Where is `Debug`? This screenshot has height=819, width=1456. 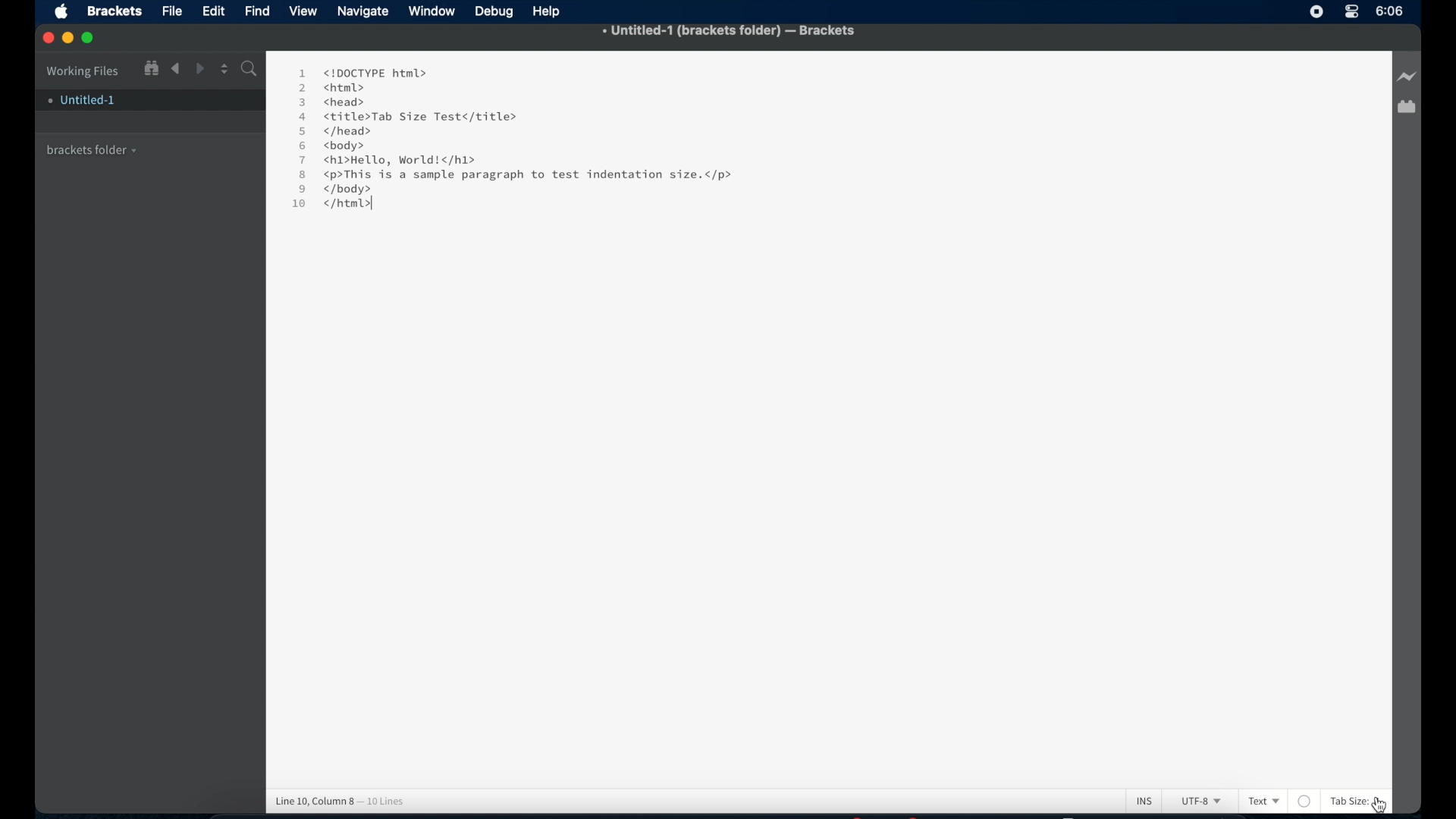 Debug is located at coordinates (496, 12).